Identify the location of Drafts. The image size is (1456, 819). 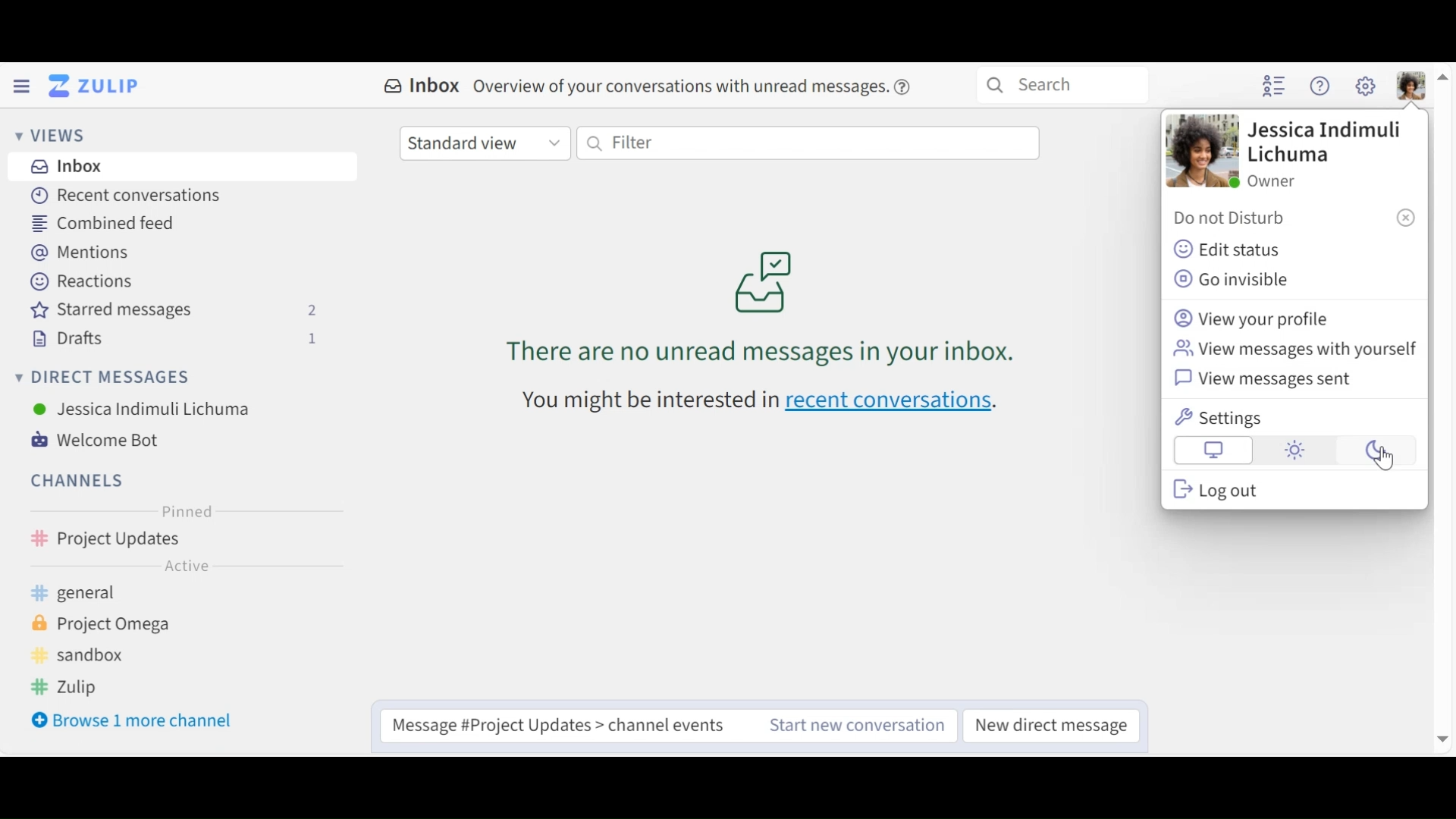
(178, 339).